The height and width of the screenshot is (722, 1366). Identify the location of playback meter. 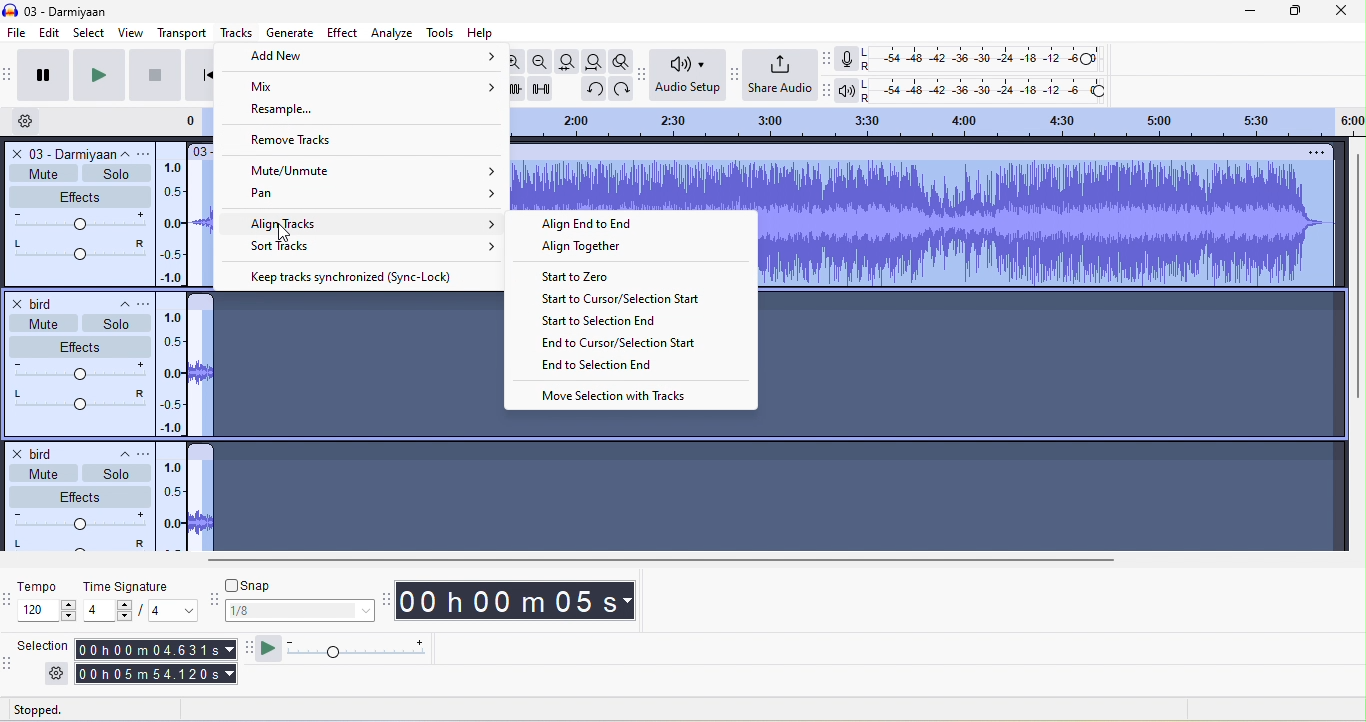
(851, 89).